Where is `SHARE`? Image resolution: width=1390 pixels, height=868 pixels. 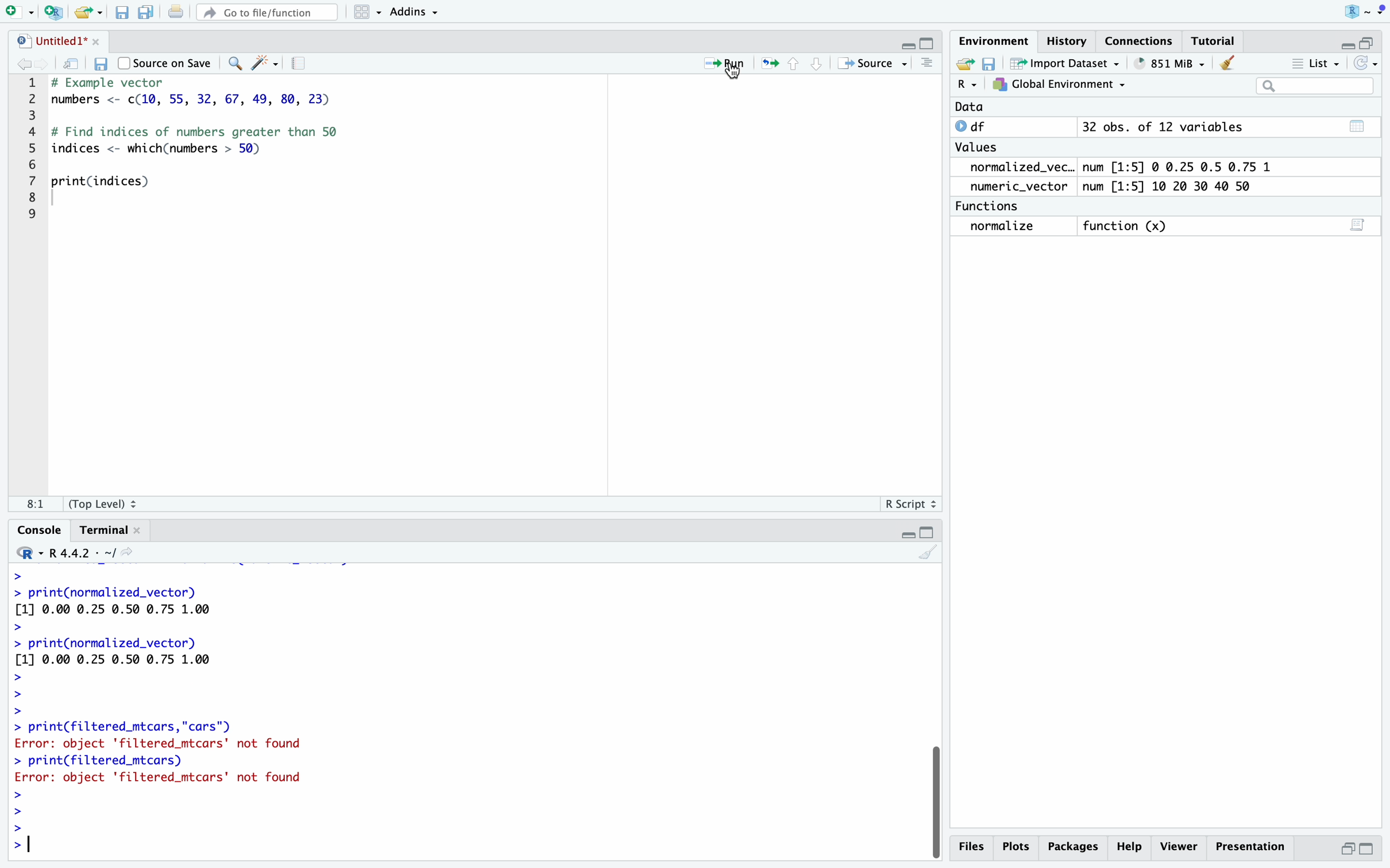 SHARE is located at coordinates (963, 64).